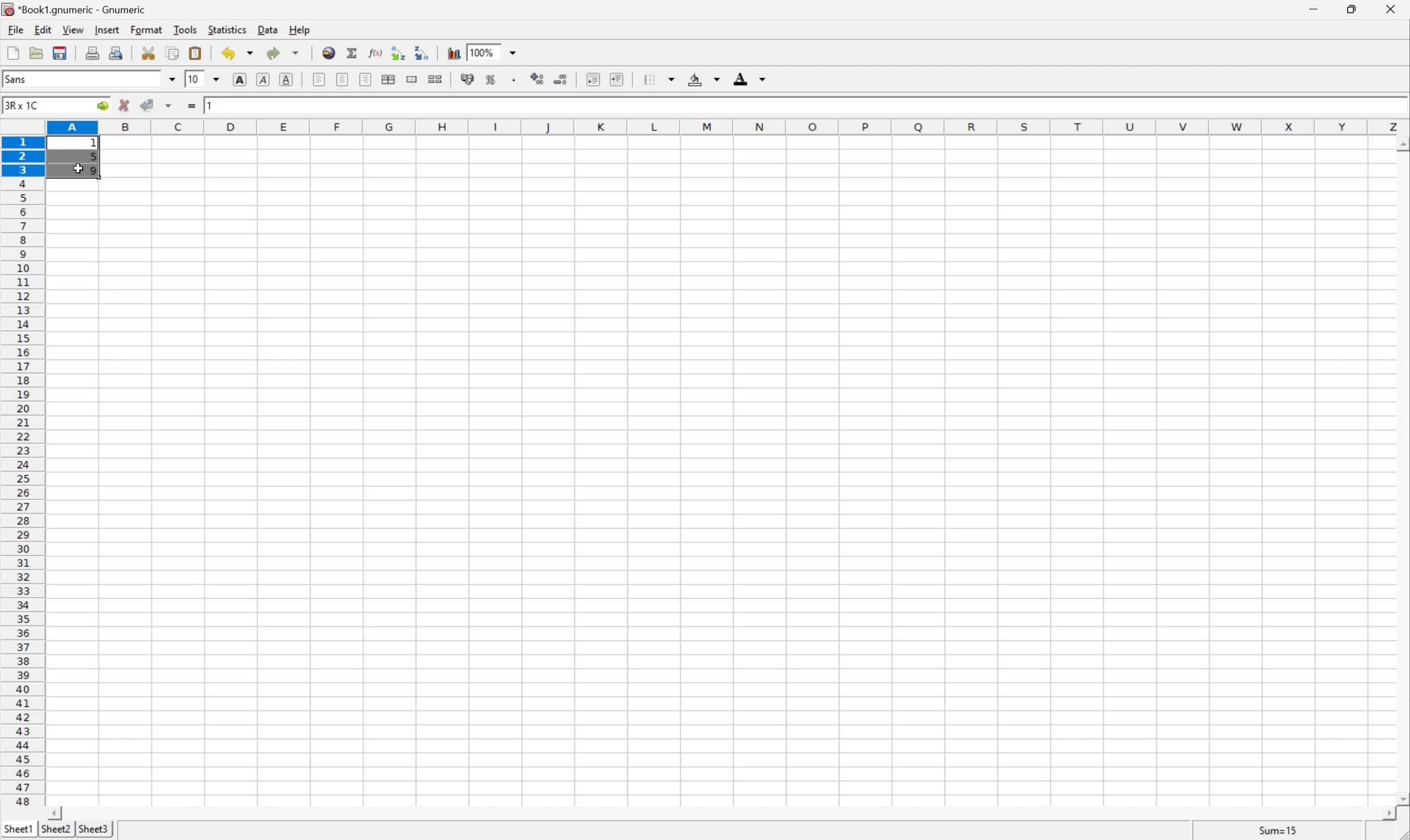  What do you see at coordinates (44, 28) in the screenshot?
I see `edit` at bounding box center [44, 28].